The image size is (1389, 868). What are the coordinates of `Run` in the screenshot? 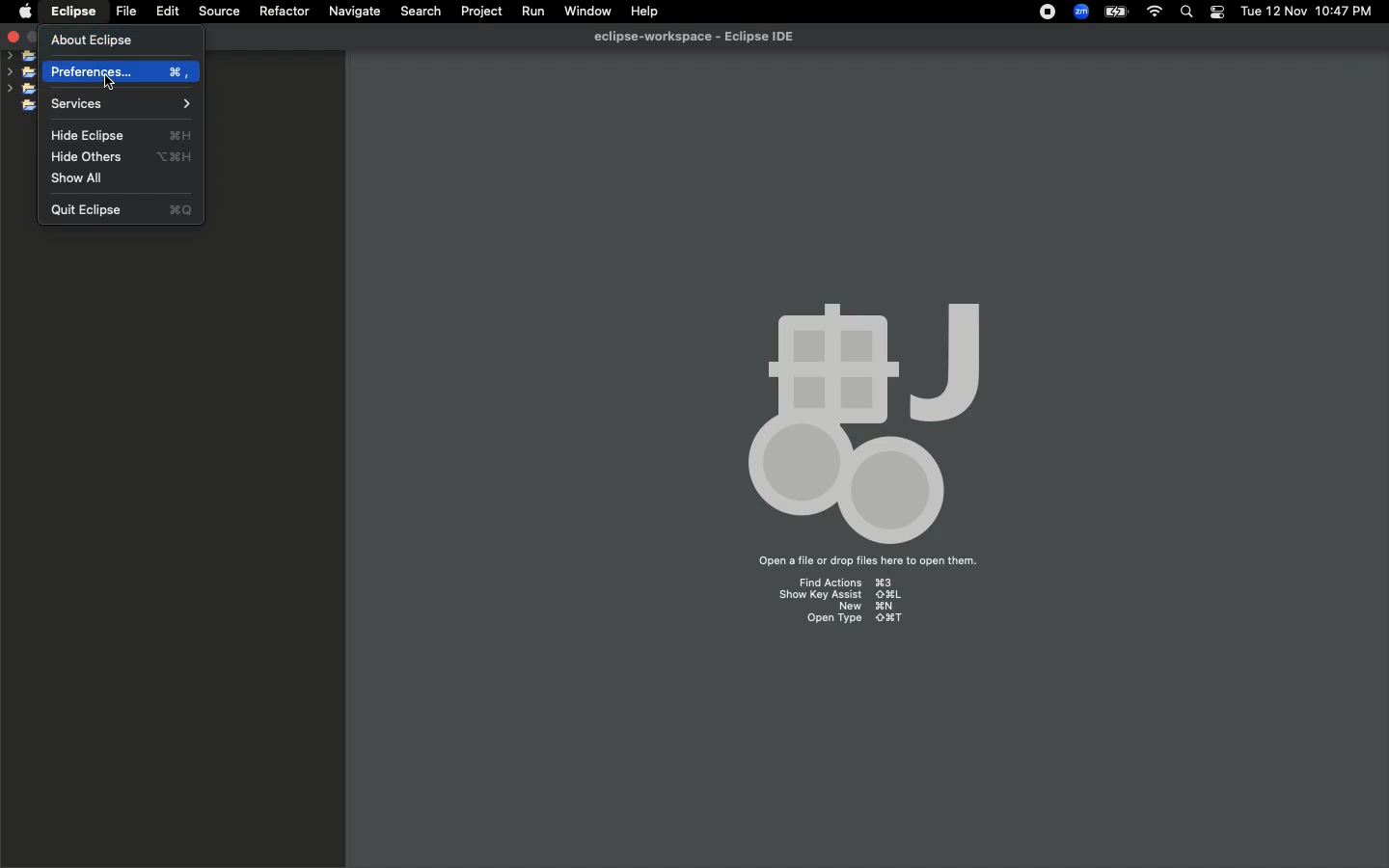 It's located at (529, 12).